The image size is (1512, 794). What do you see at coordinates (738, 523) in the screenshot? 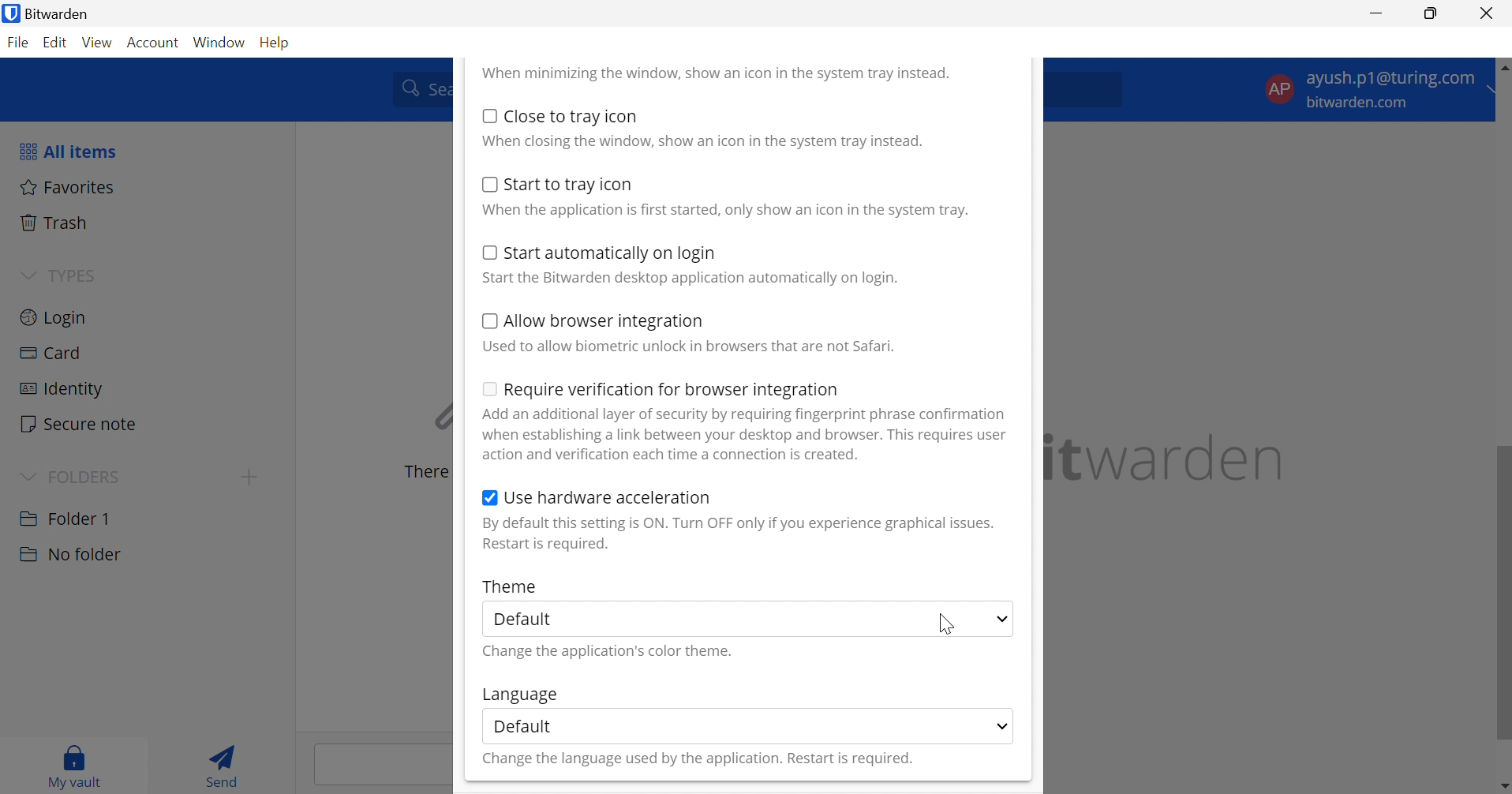
I see `By default this setting is ON. Turn OFF only if you experiencing graphical issues.` at bounding box center [738, 523].